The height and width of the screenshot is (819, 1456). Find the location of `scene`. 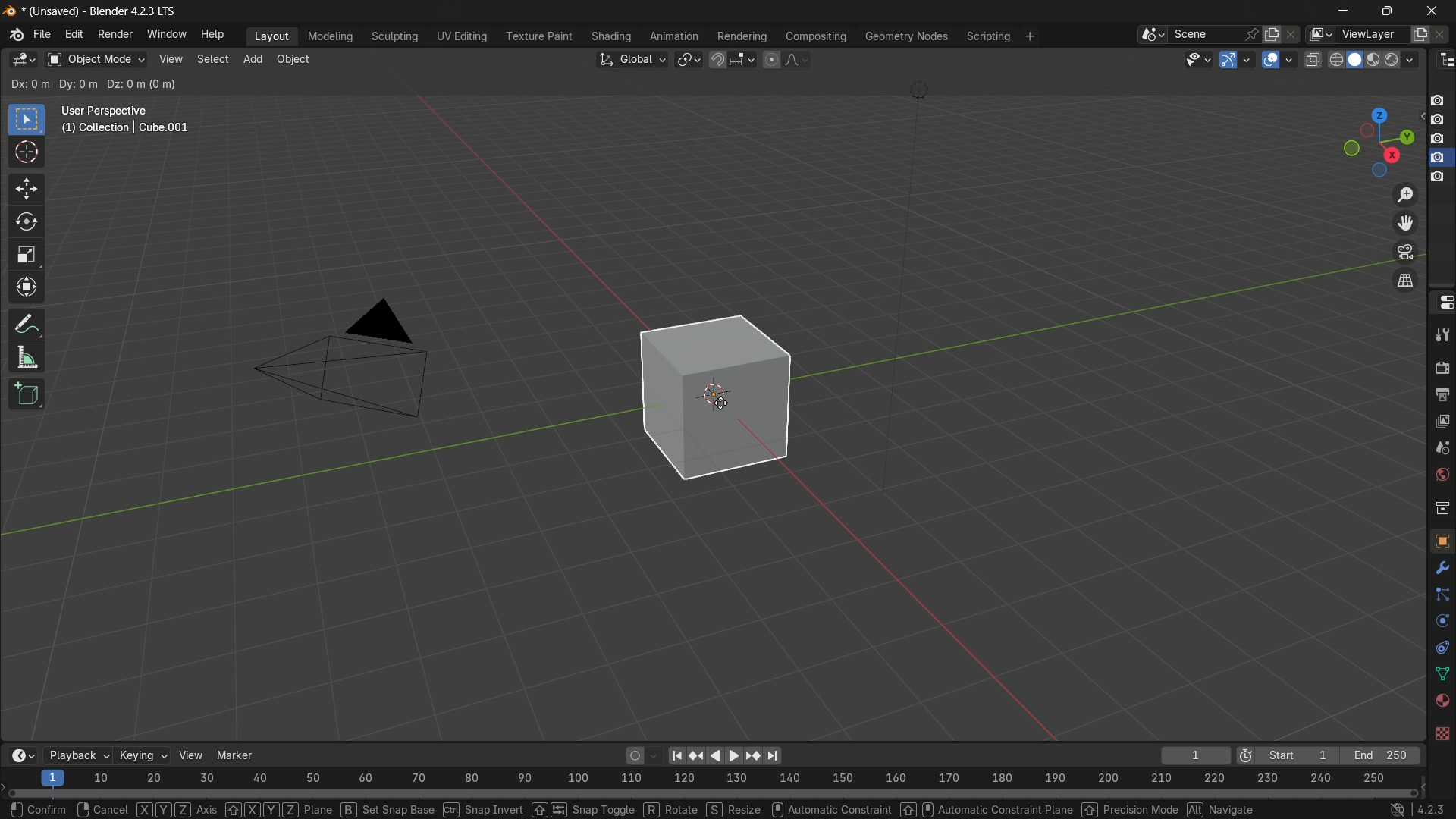

scene is located at coordinates (1213, 34).